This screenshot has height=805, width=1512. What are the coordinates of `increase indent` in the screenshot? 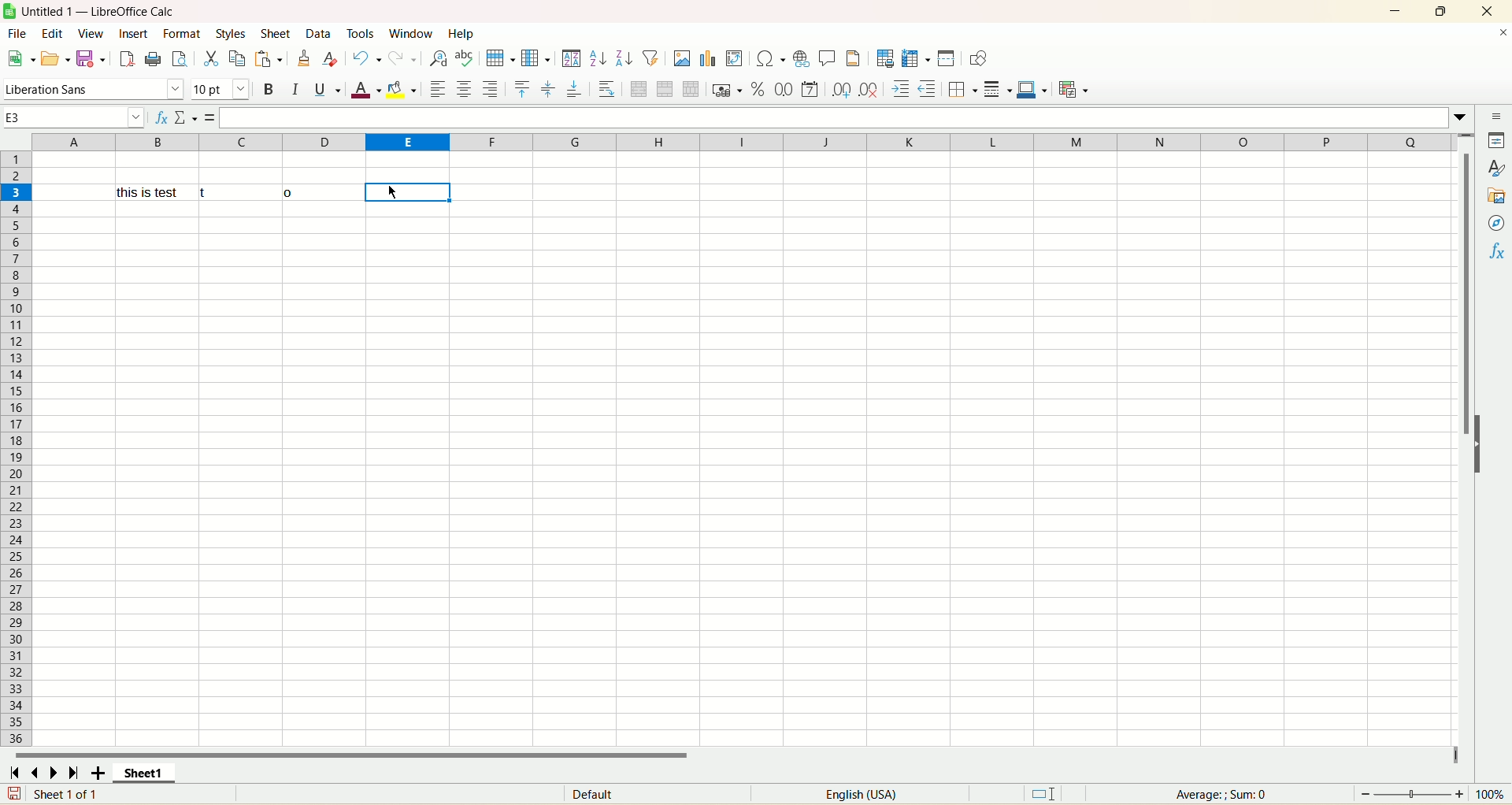 It's located at (902, 90).